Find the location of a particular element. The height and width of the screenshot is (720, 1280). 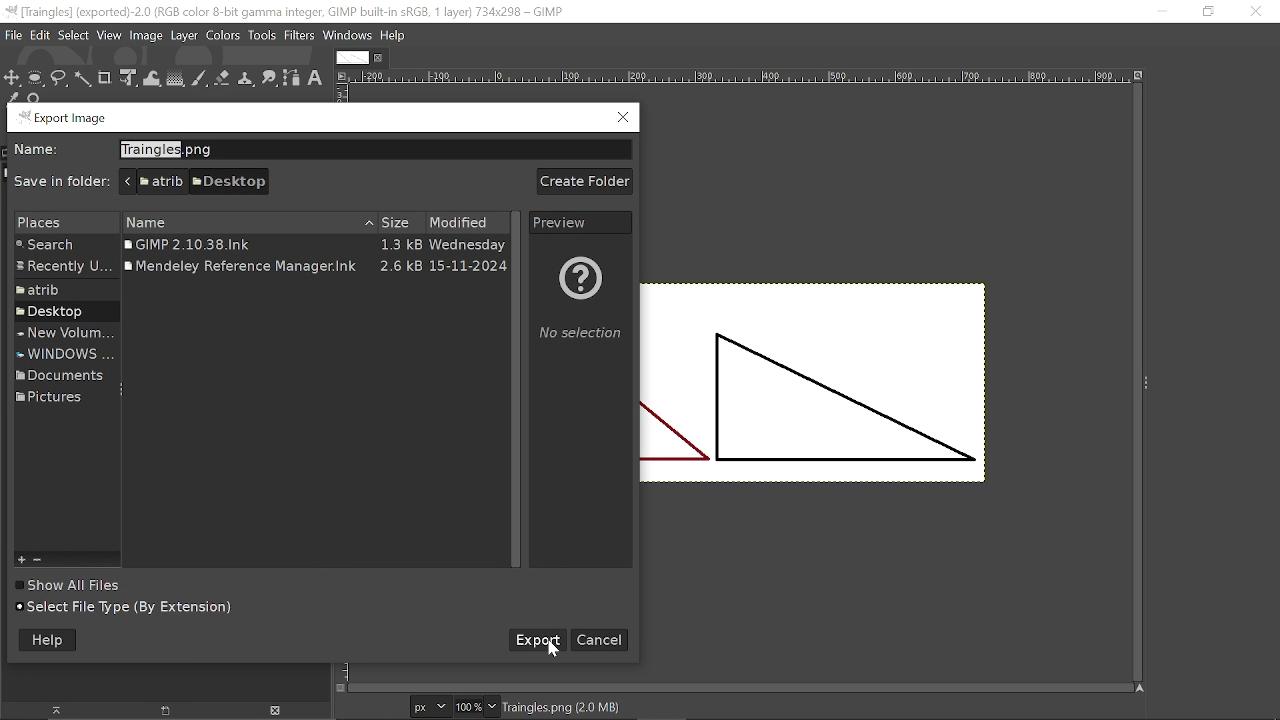

Gradient tool is located at coordinates (176, 79).